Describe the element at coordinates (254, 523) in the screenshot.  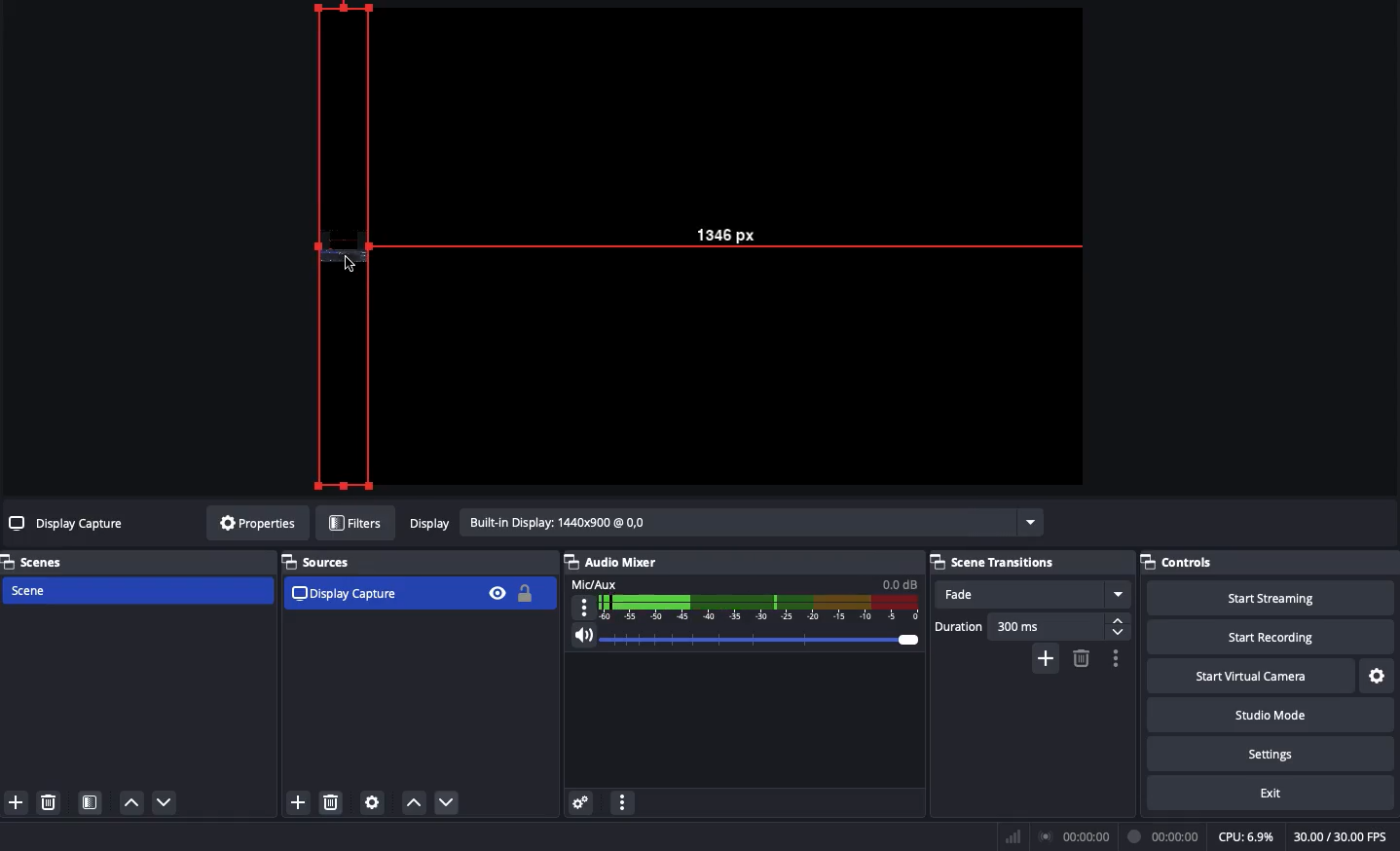
I see `Properties` at that location.